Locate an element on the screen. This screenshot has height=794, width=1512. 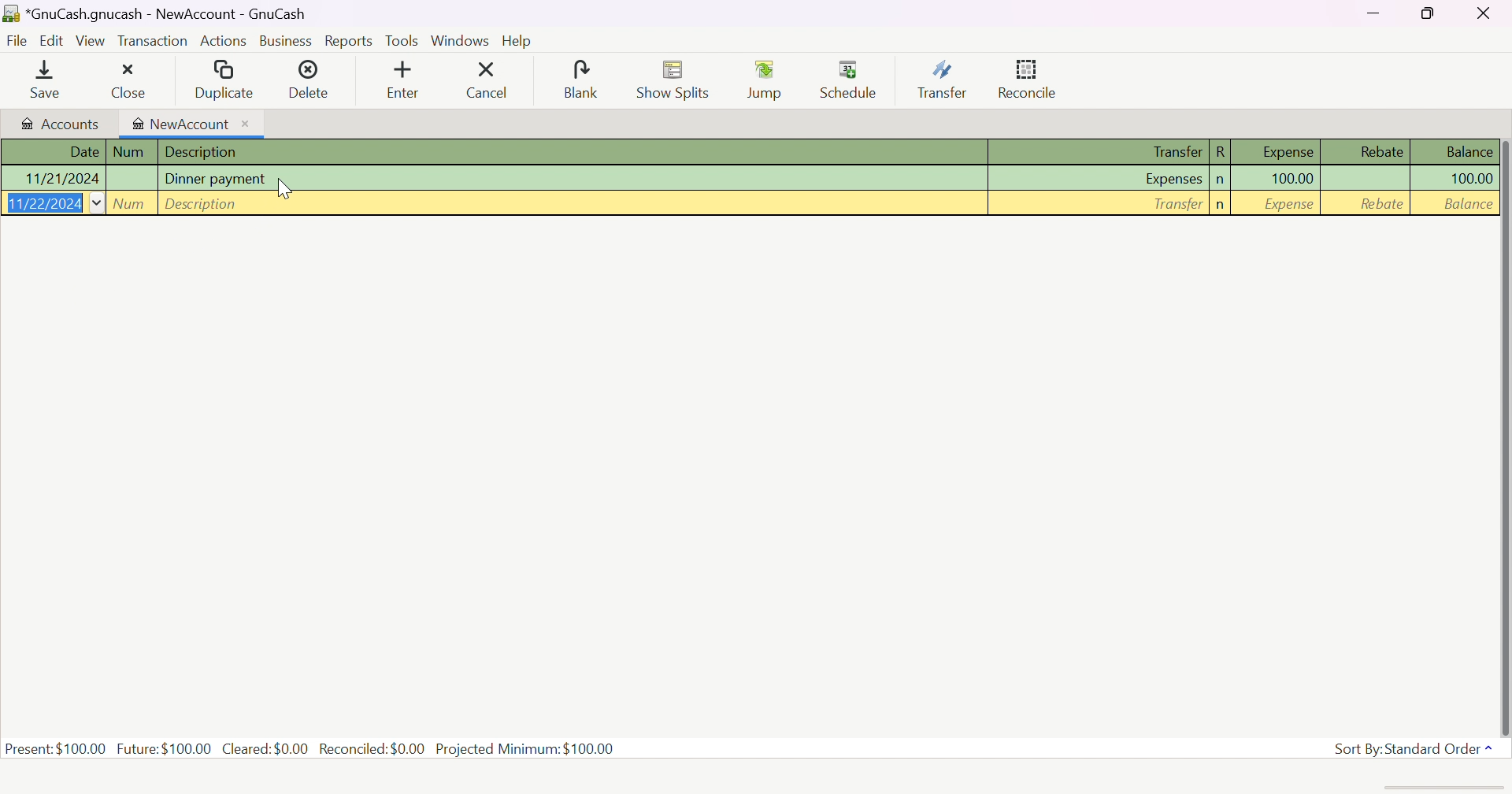
Expense is located at coordinates (1287, 151).